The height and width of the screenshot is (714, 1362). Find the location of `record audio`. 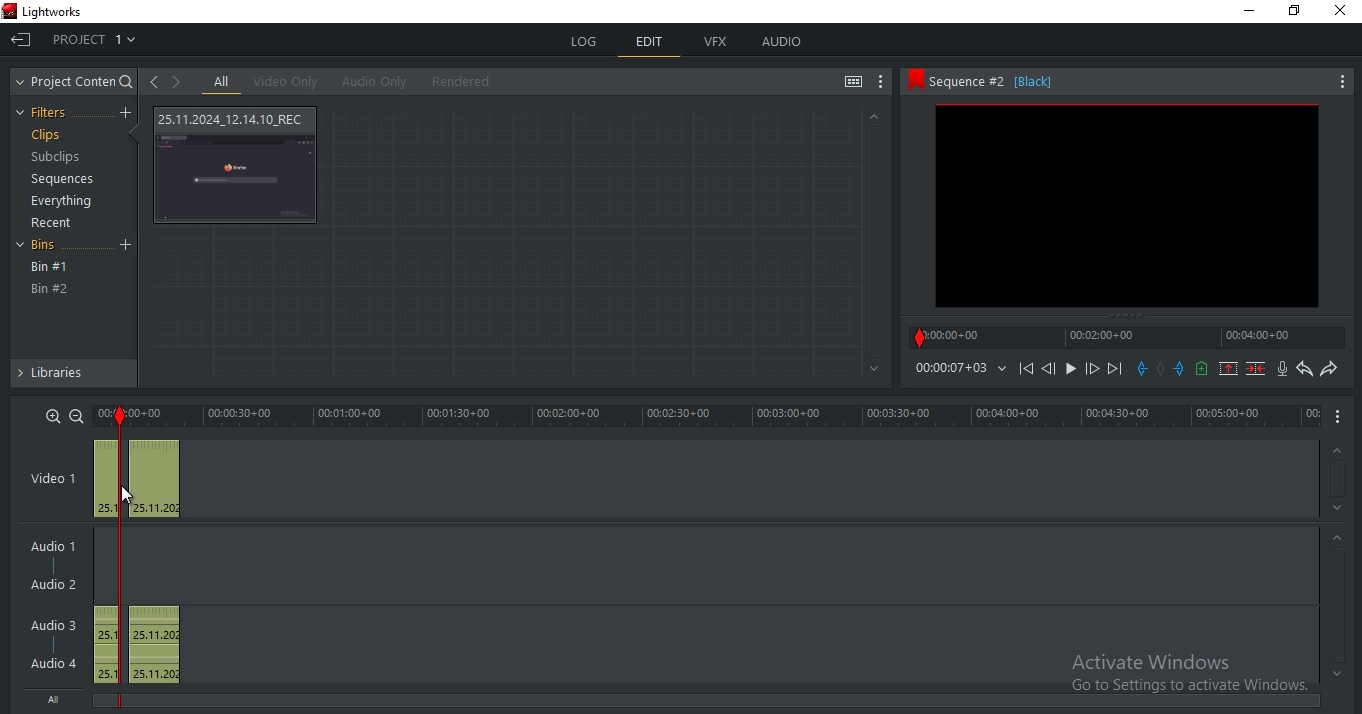

record audio is located at coordinates (1282, 369).